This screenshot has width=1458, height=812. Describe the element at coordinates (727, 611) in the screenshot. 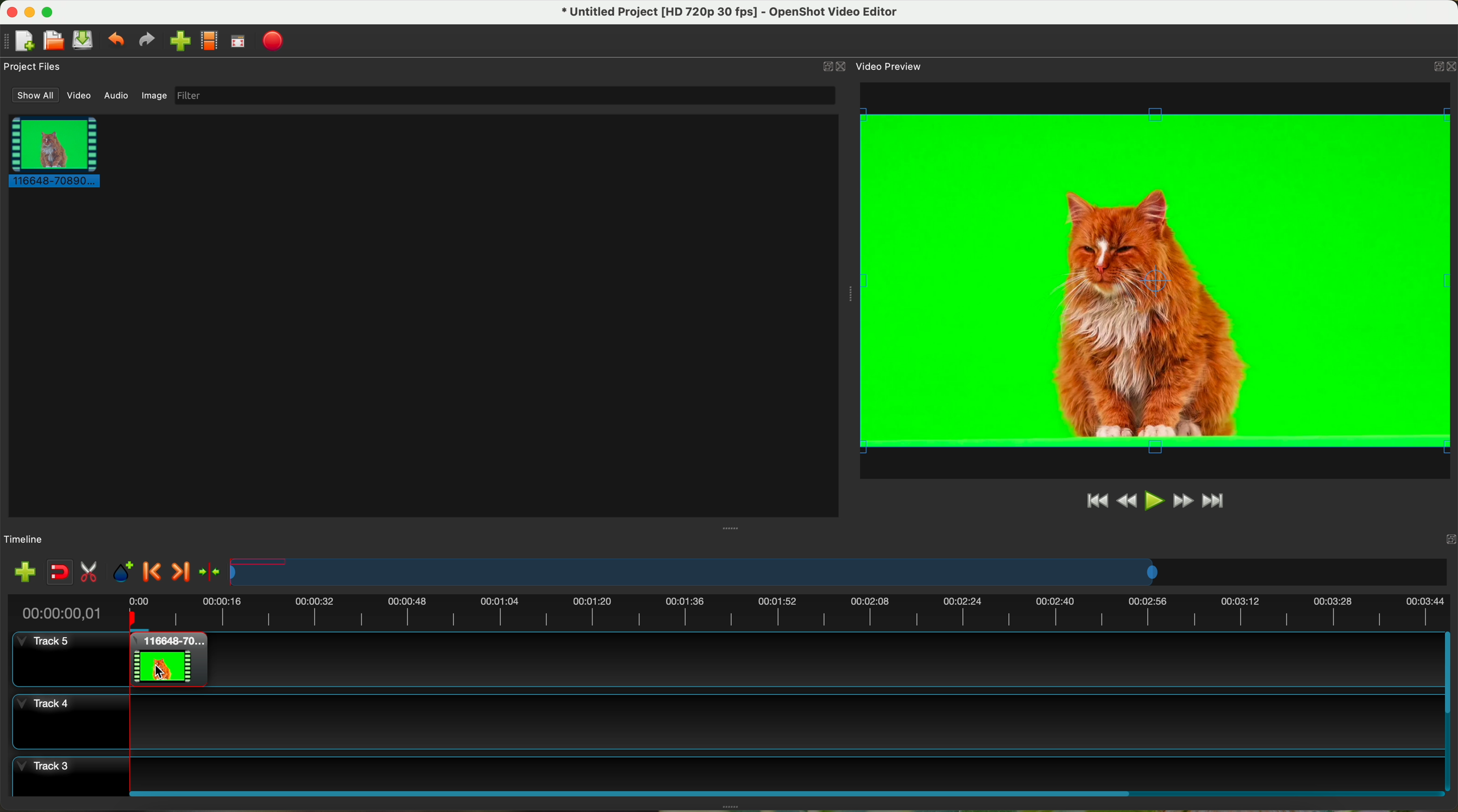

I see `timeline` at that location.